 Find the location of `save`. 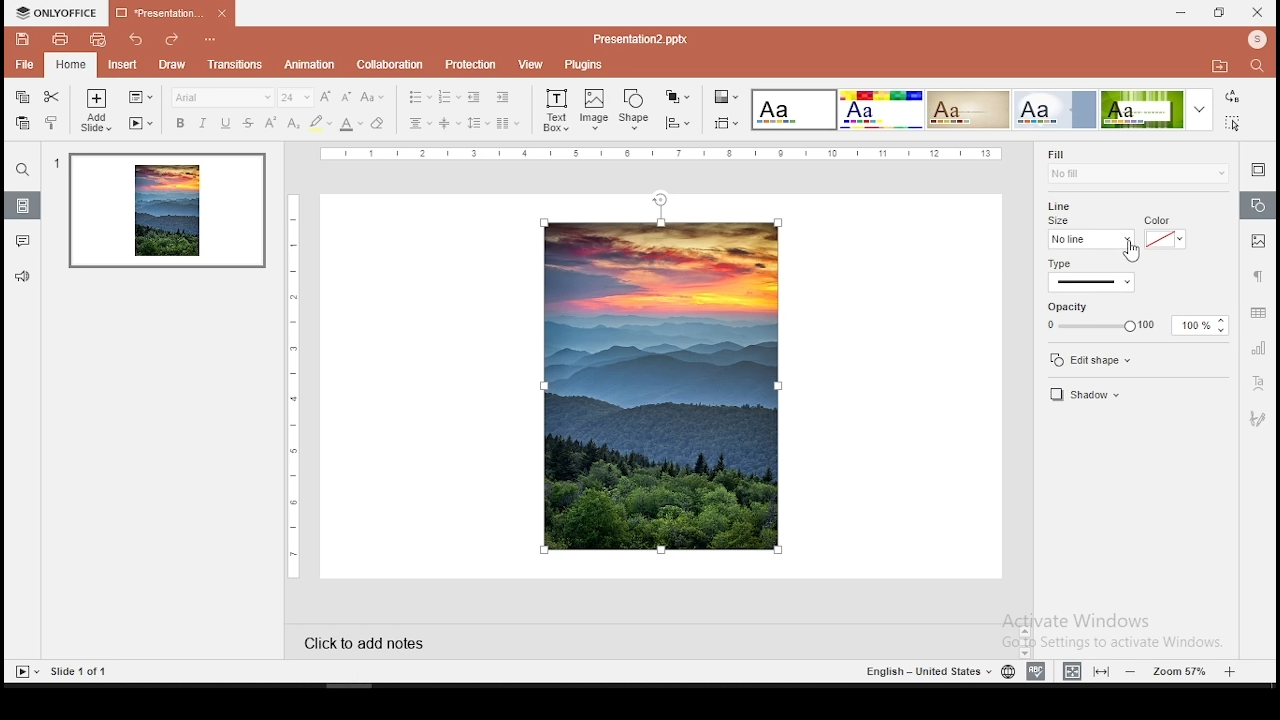

save is located at coordinates (19, 38).